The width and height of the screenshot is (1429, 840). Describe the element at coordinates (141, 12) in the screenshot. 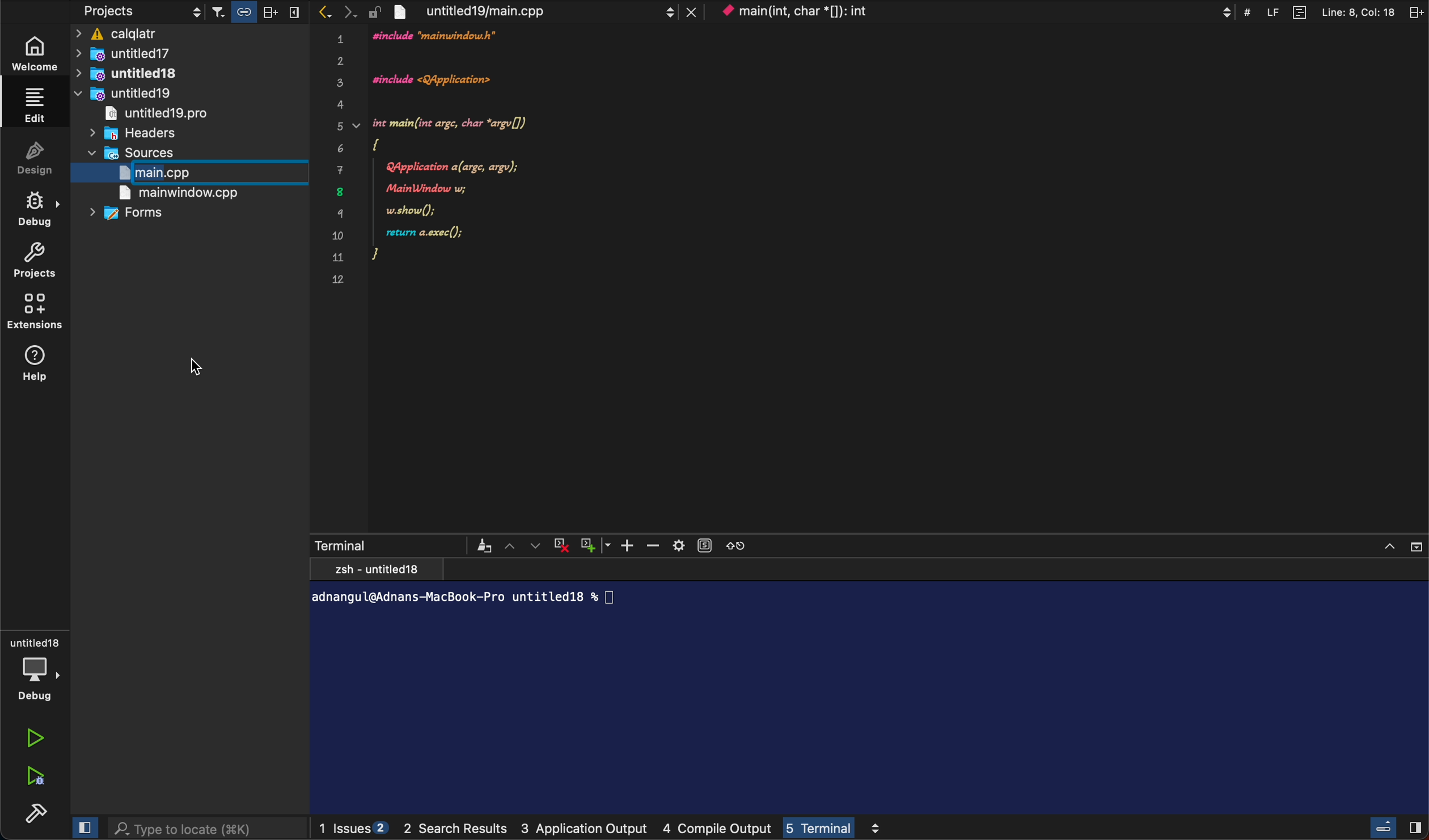

I see `projects` at that location.